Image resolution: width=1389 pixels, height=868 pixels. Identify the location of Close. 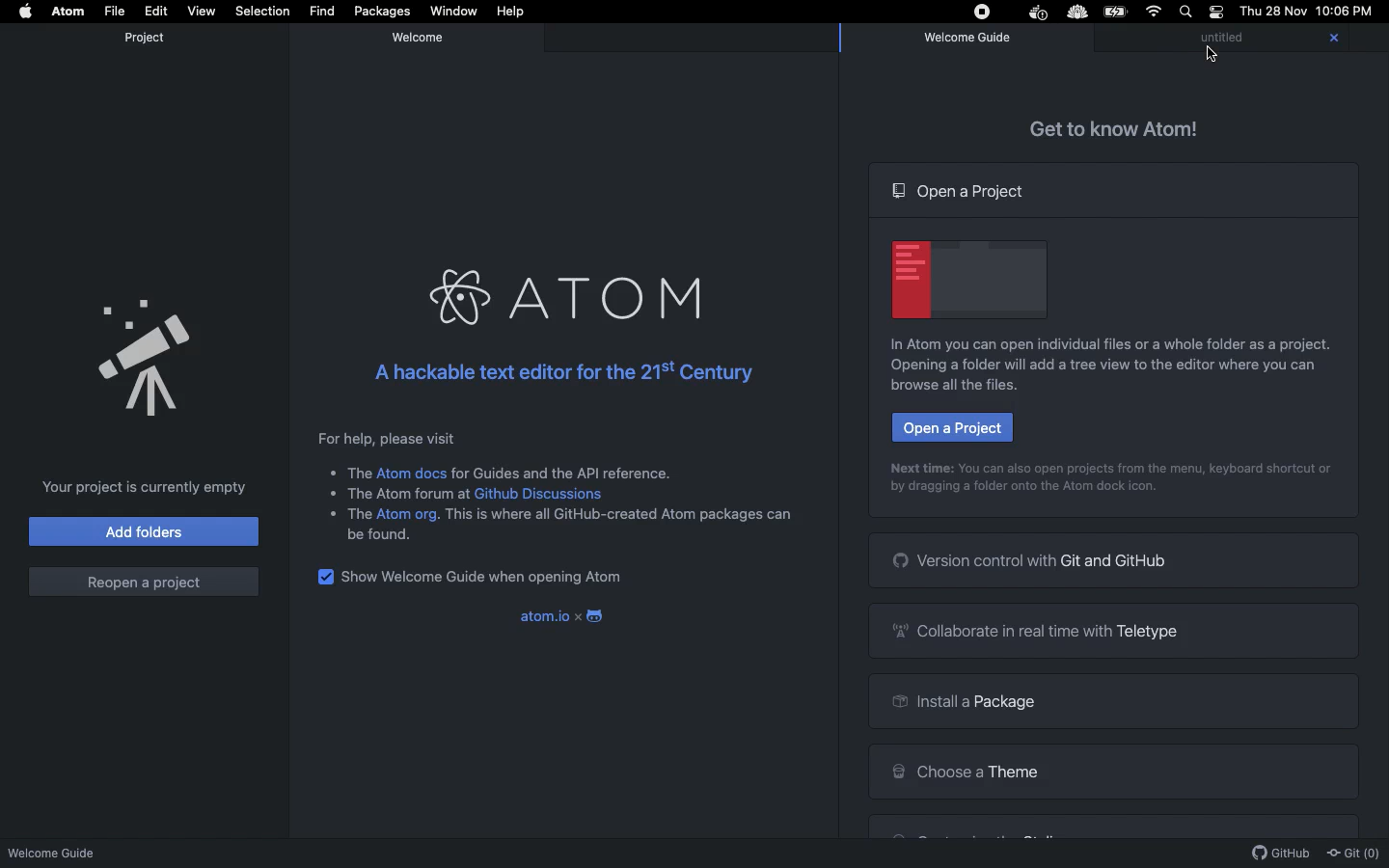
(1331, 41).